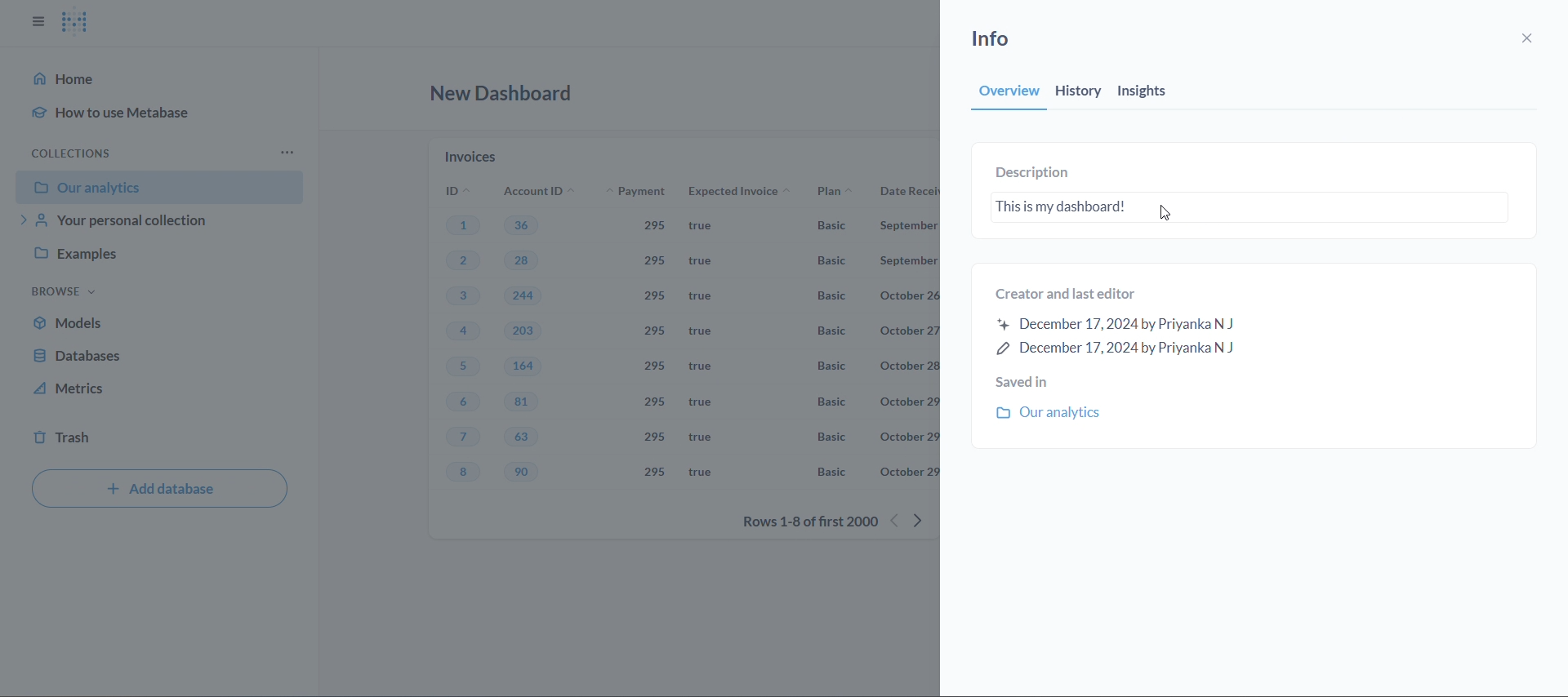 Image resolution: width=1568 pixels, height=697 pixels. What do you see at coordinates (909, 295) in the screenshot?
I see `october 26` at bounding box center [909, 295].